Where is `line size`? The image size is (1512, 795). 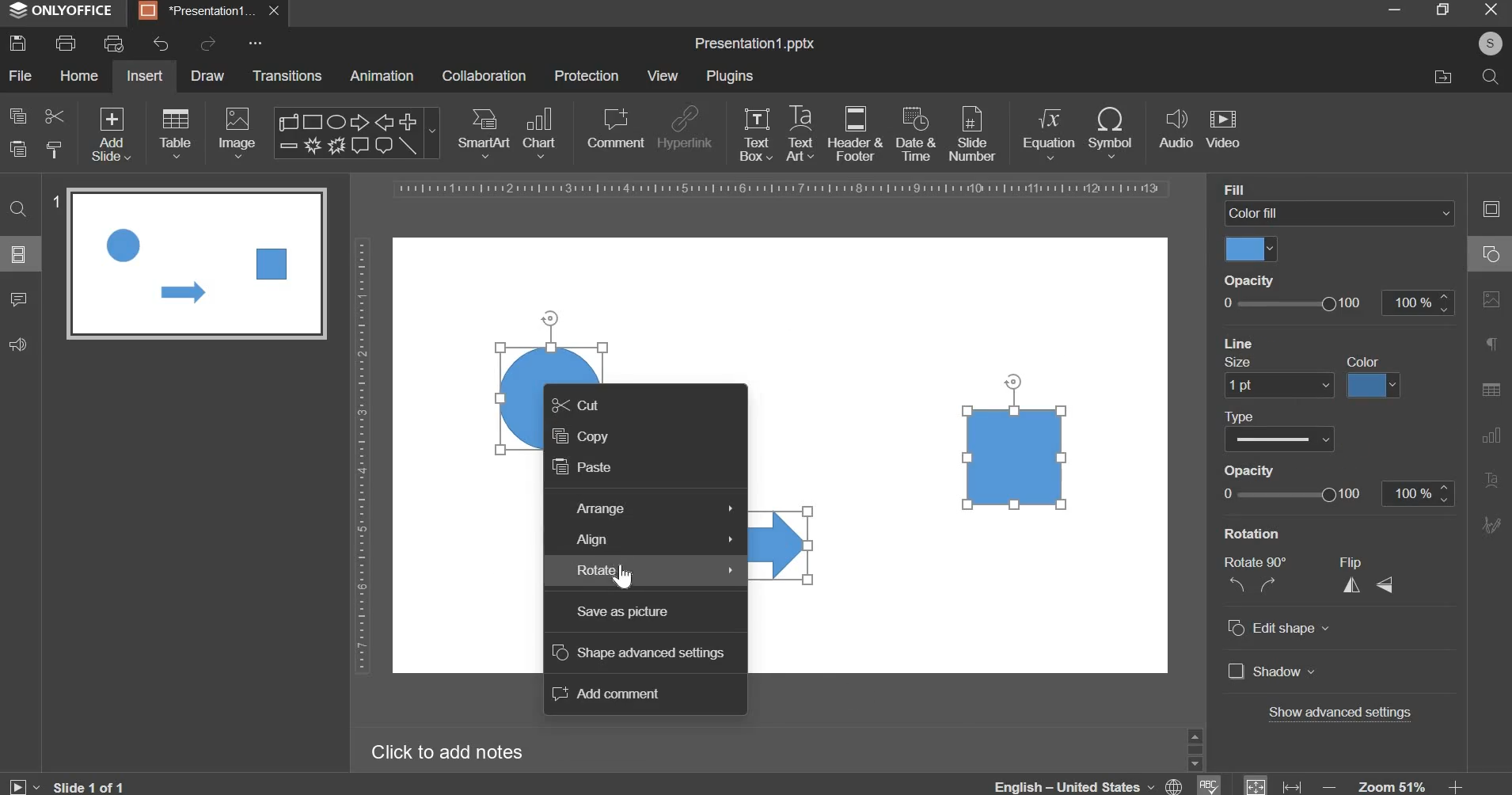
line size is located at coordinates (1278, 386).